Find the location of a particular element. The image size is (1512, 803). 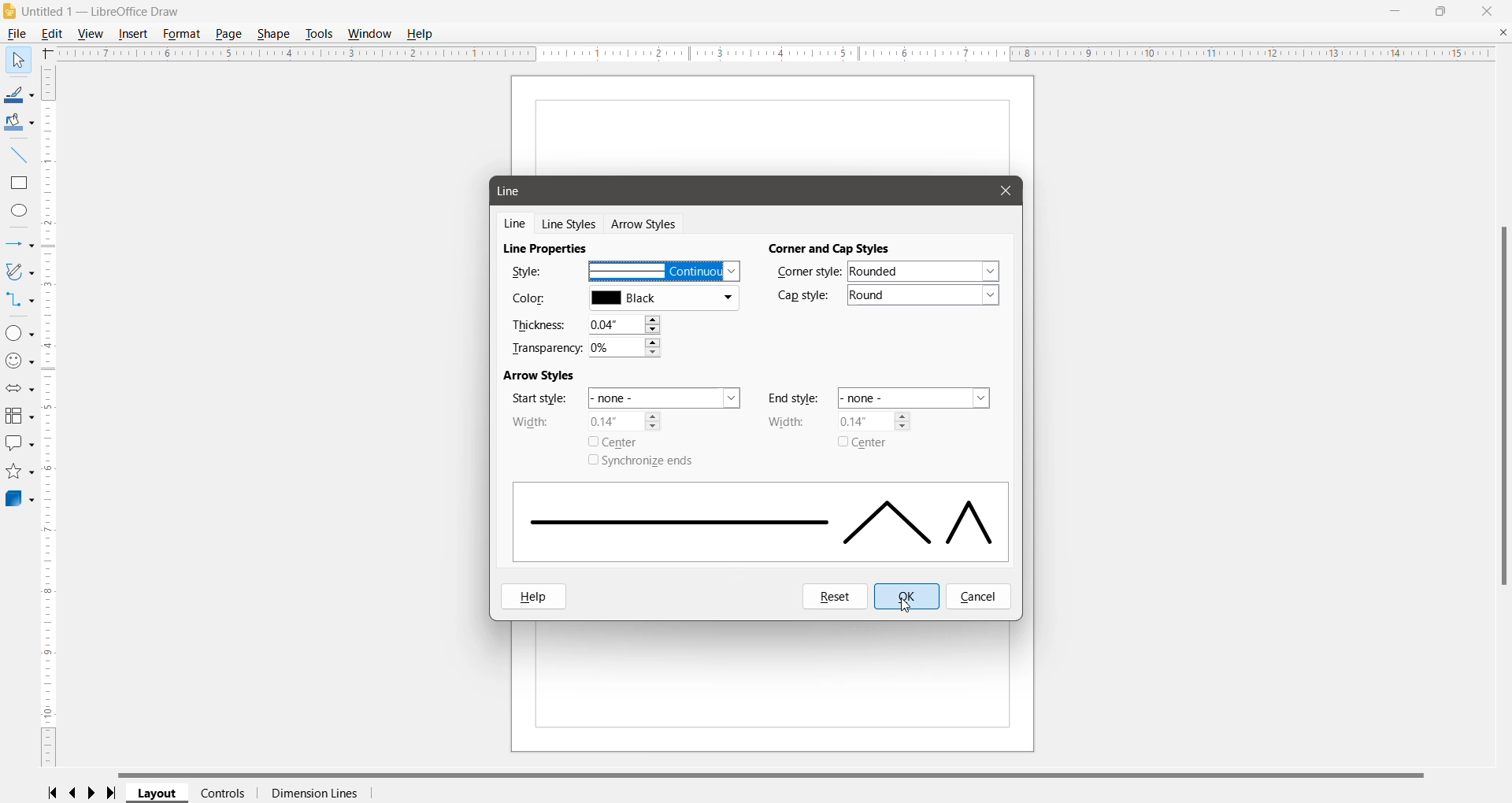

Synchronize ends is located at coordinates (645, 461).